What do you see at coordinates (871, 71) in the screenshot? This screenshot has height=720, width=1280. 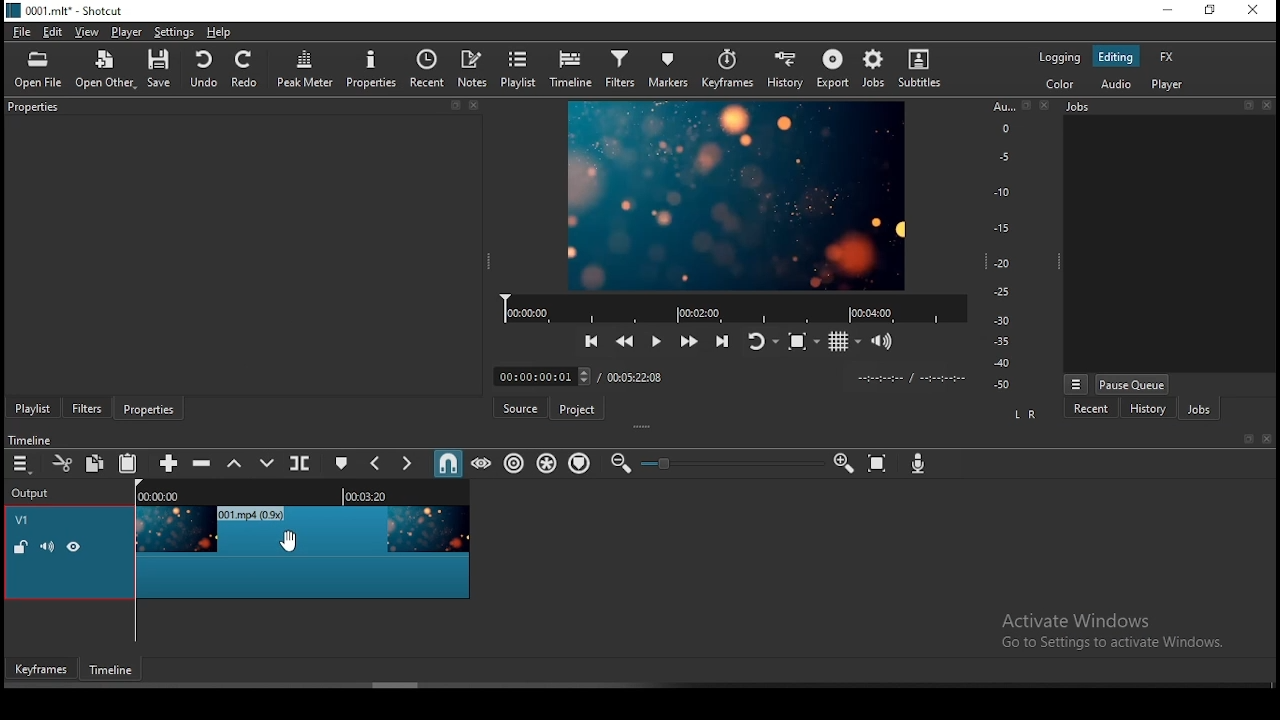 I see `jobs` at bounding box center [871, 71].